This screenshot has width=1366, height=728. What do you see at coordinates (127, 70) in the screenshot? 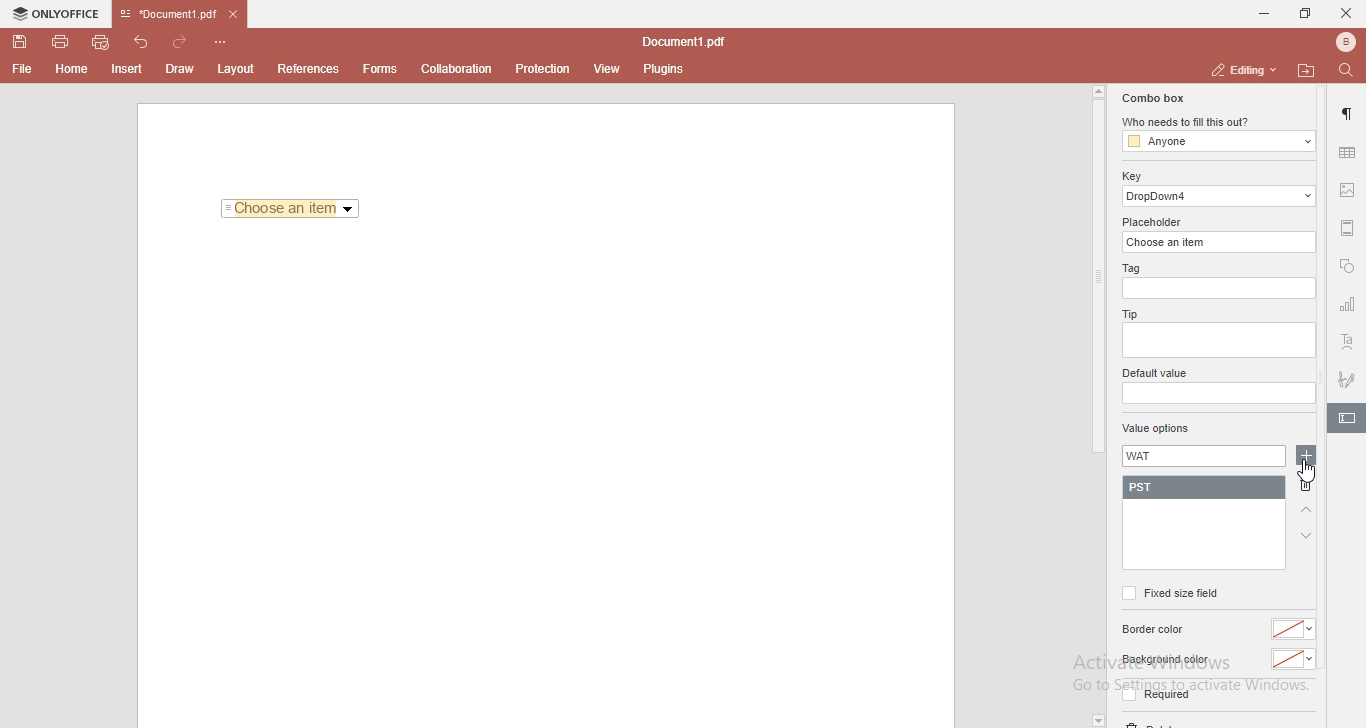
I see `Insert` at bounding box center [127, 70].